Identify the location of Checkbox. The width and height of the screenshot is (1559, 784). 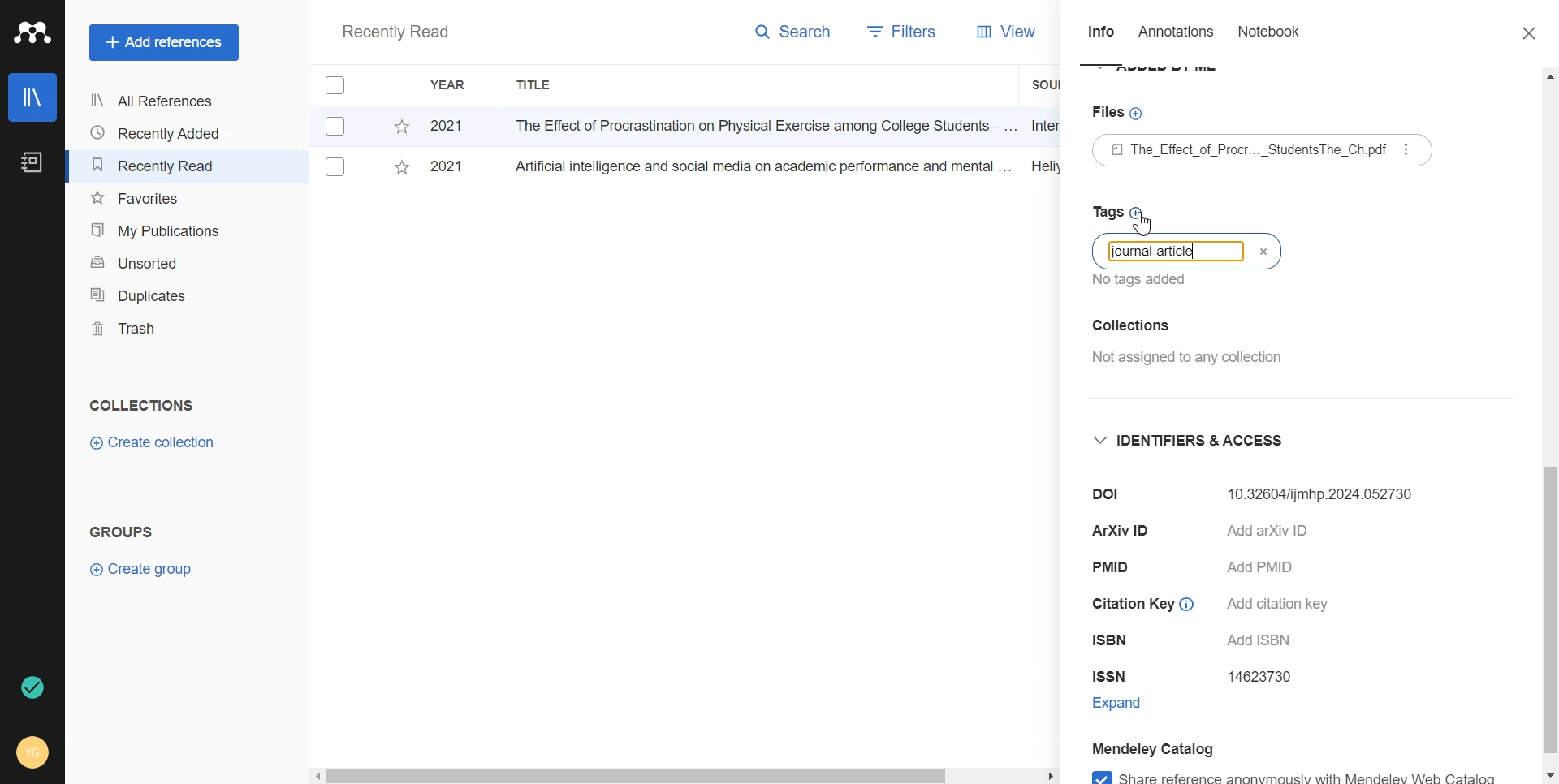
(336, 167).